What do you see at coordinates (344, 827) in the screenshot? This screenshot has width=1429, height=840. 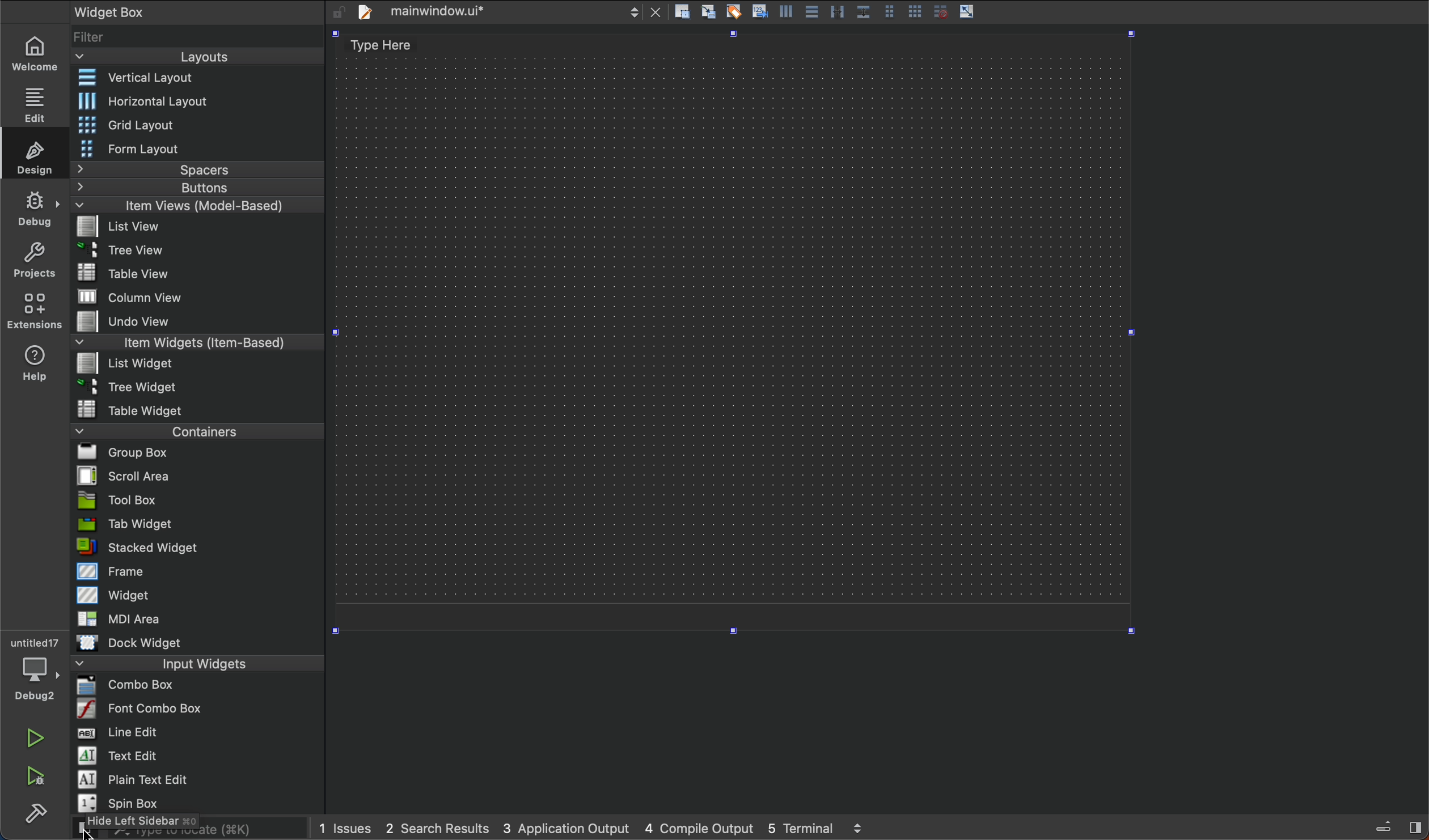 I see `1 Issues` at bounding box center [344, 827].